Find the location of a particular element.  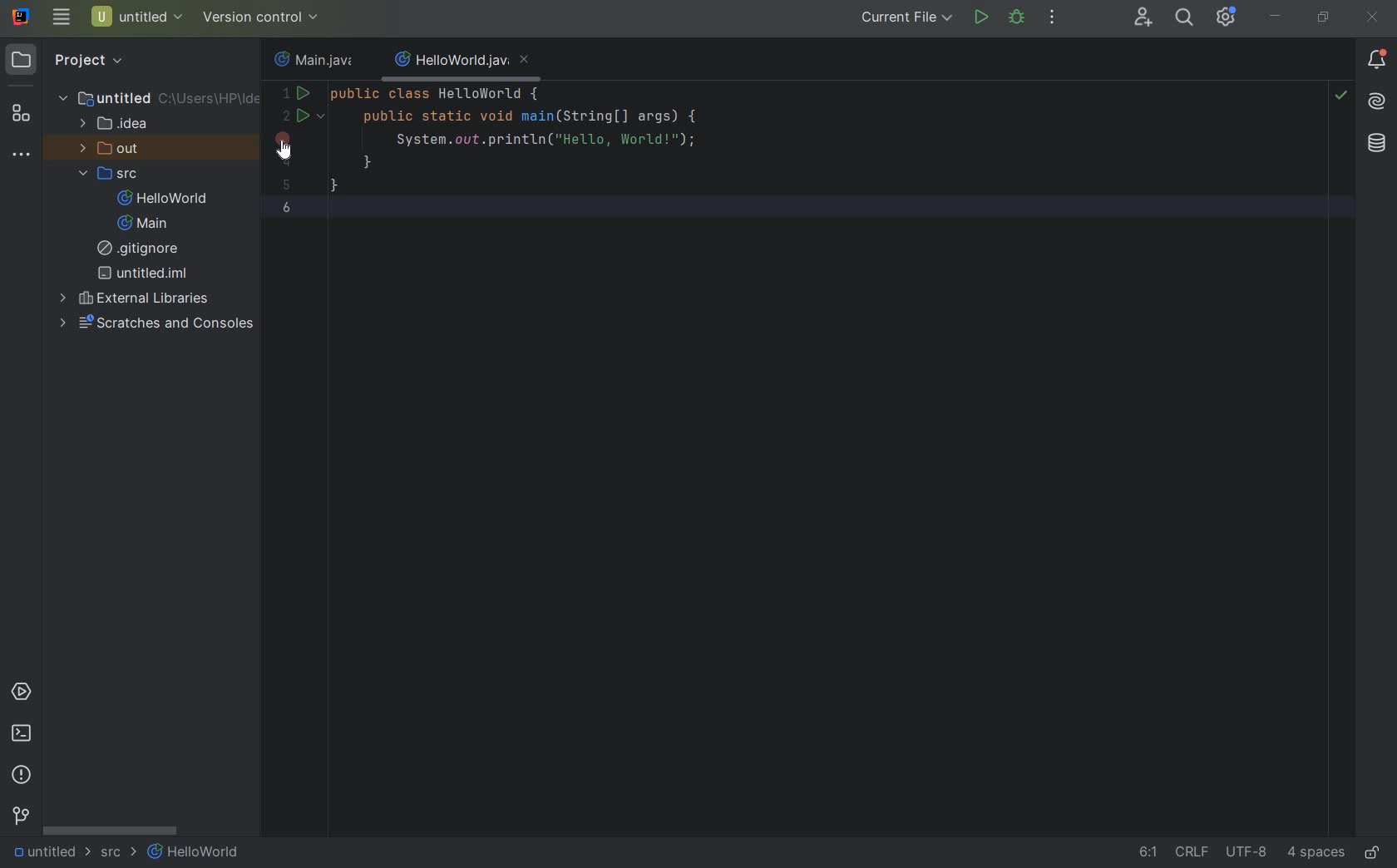

cursor is located at coordinates (292, 153).